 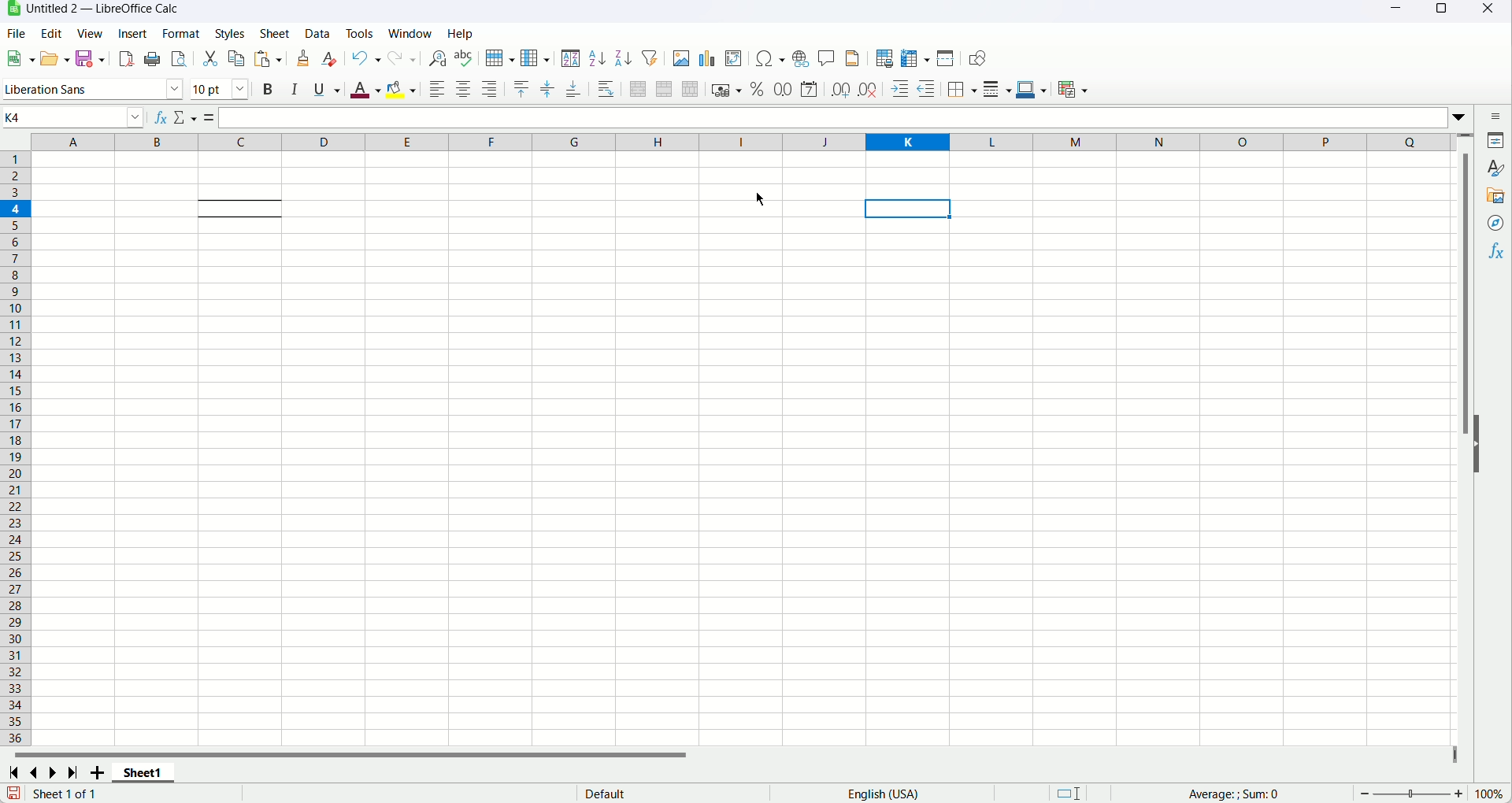 What do you see at coordinates (606, 89) in the screenshot?
I see `Wrap text` at bounding box center [606, 89].